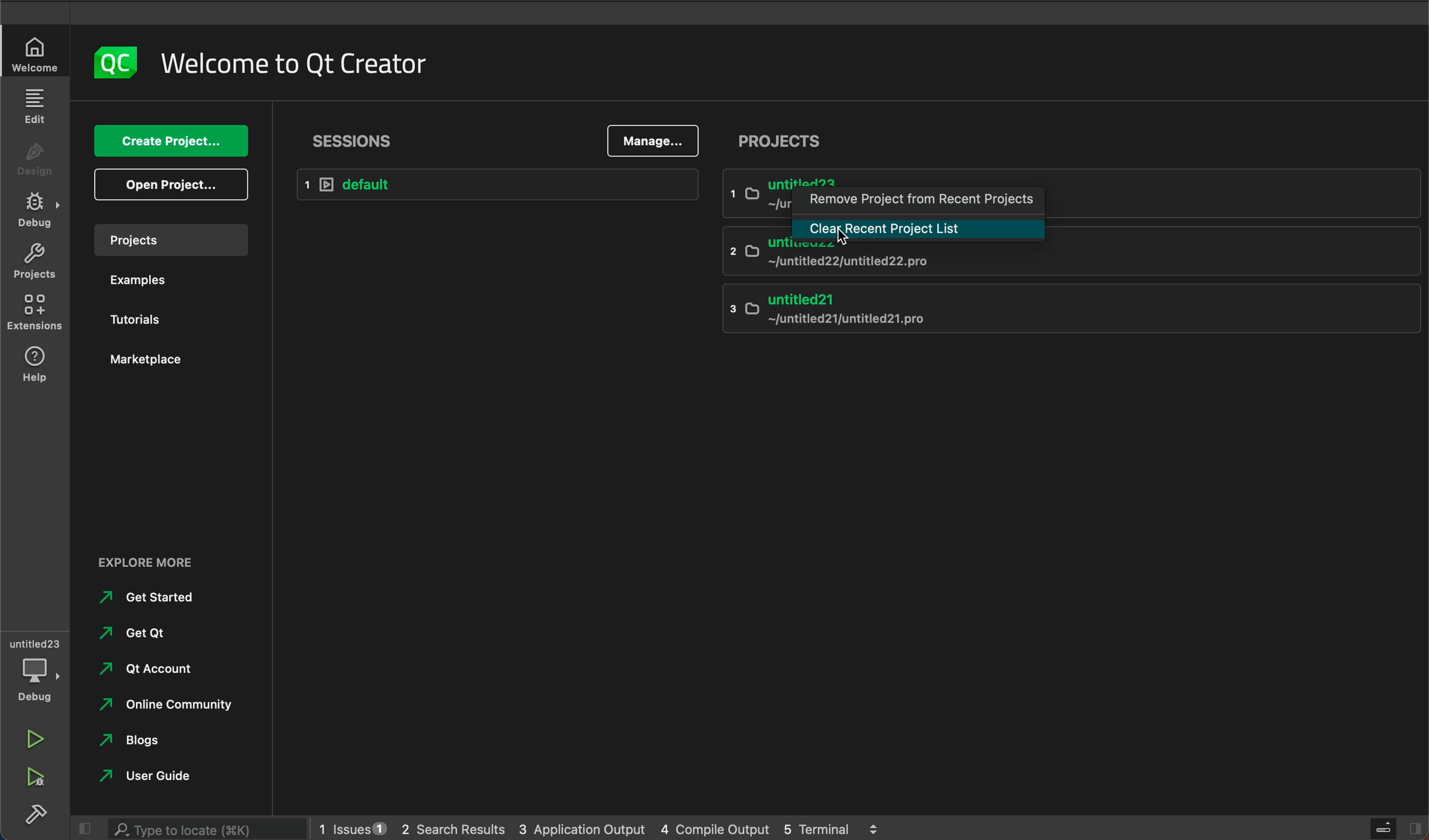 The height and width of the screenshot is (840, 1429). I want to click on build, so click(34, 813).